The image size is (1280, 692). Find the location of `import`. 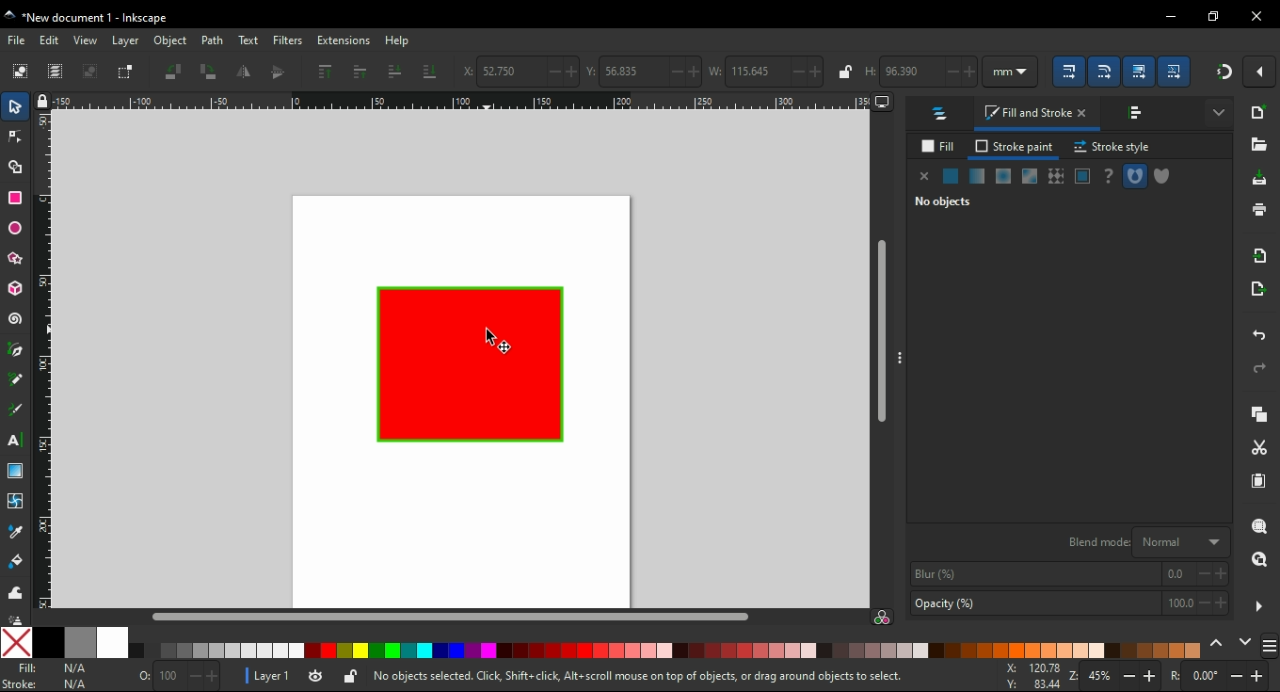

import is located at coordinates (1260, 256).